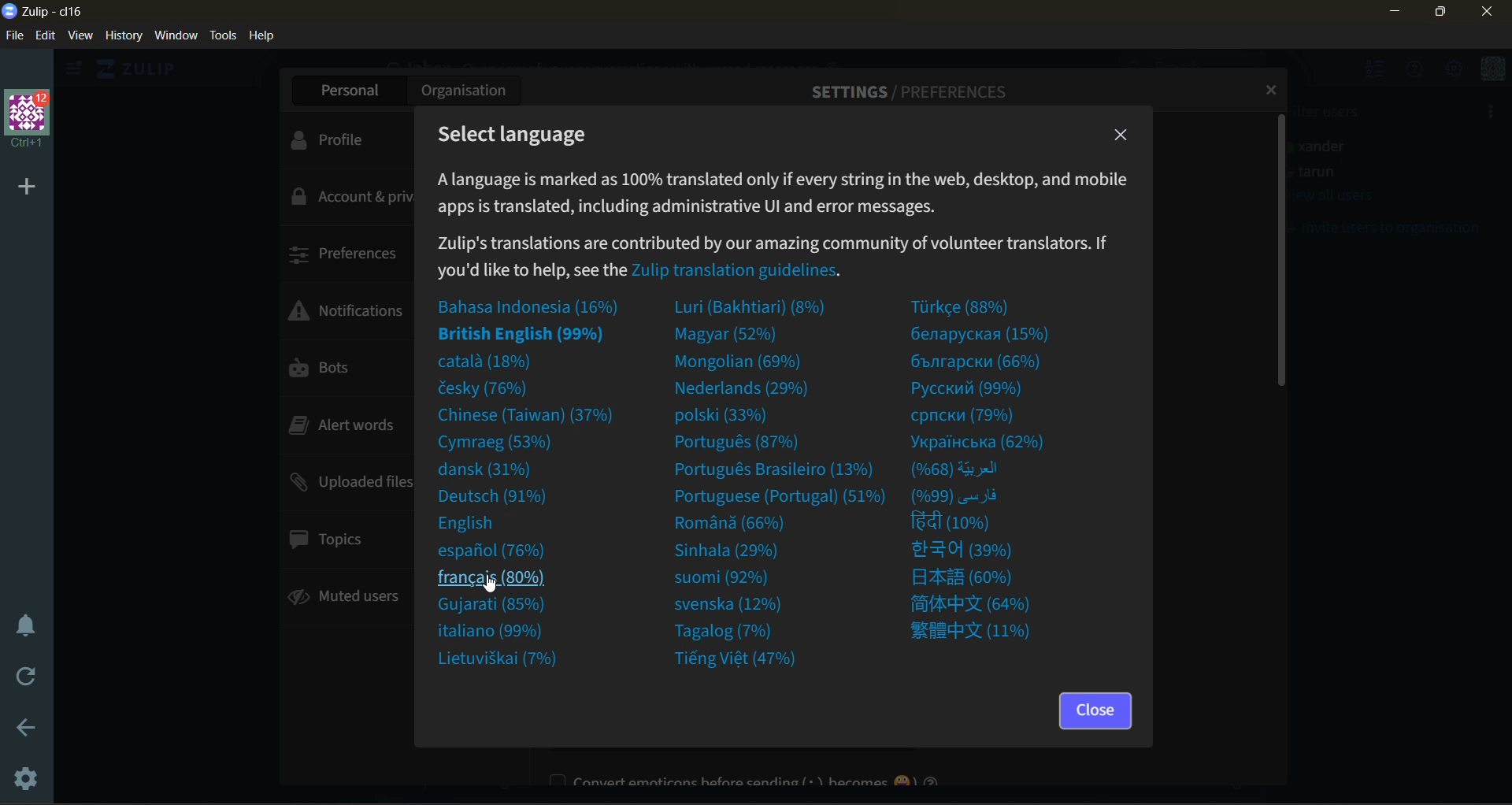 The width and height of the screenshot is (1512, 805). I want to click on british english, so click(518, 336).